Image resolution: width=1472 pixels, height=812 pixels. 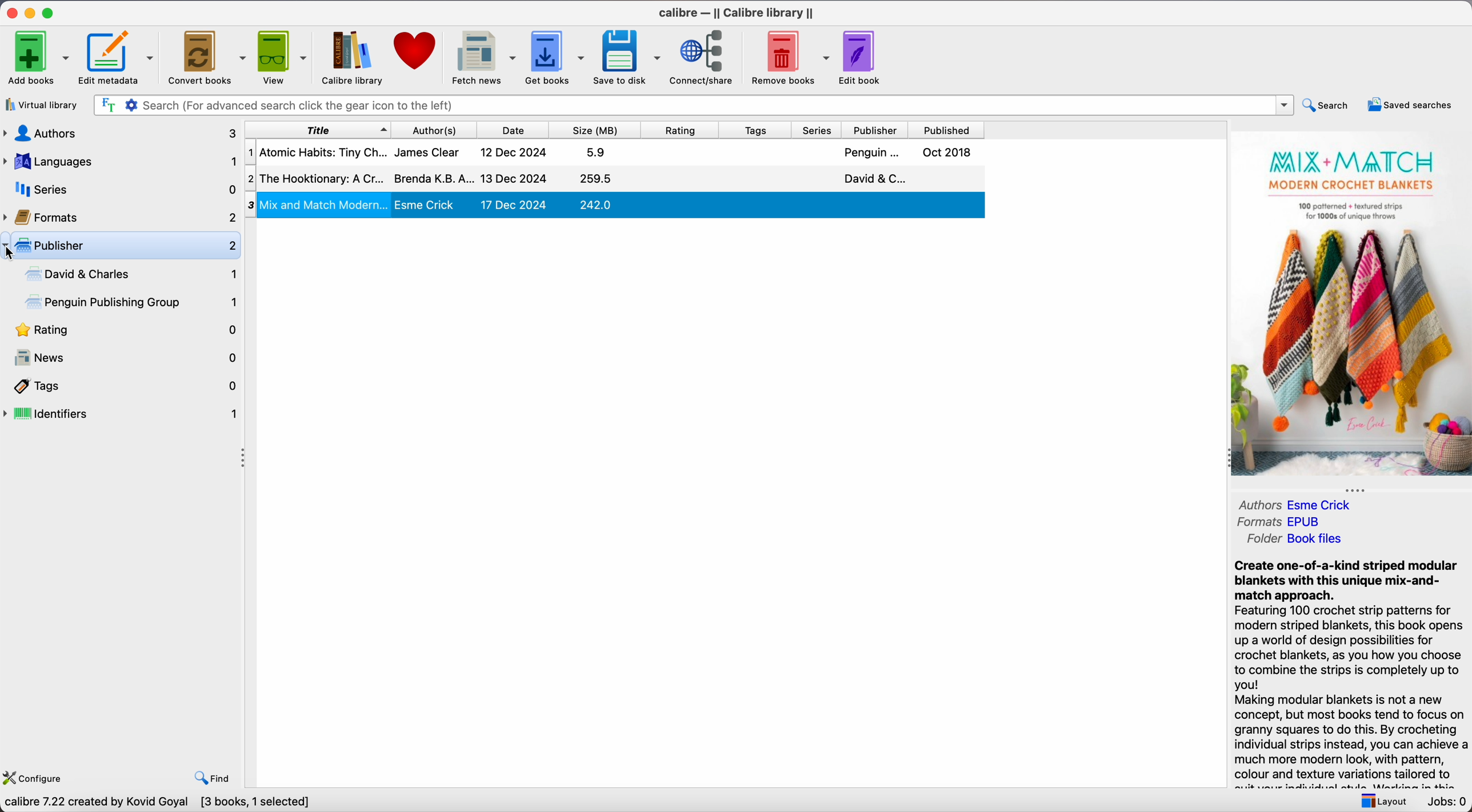 What do you see at coordinates (705, 58) in the screenshot?
I see `connect/share` at bounding box center [705, 58].